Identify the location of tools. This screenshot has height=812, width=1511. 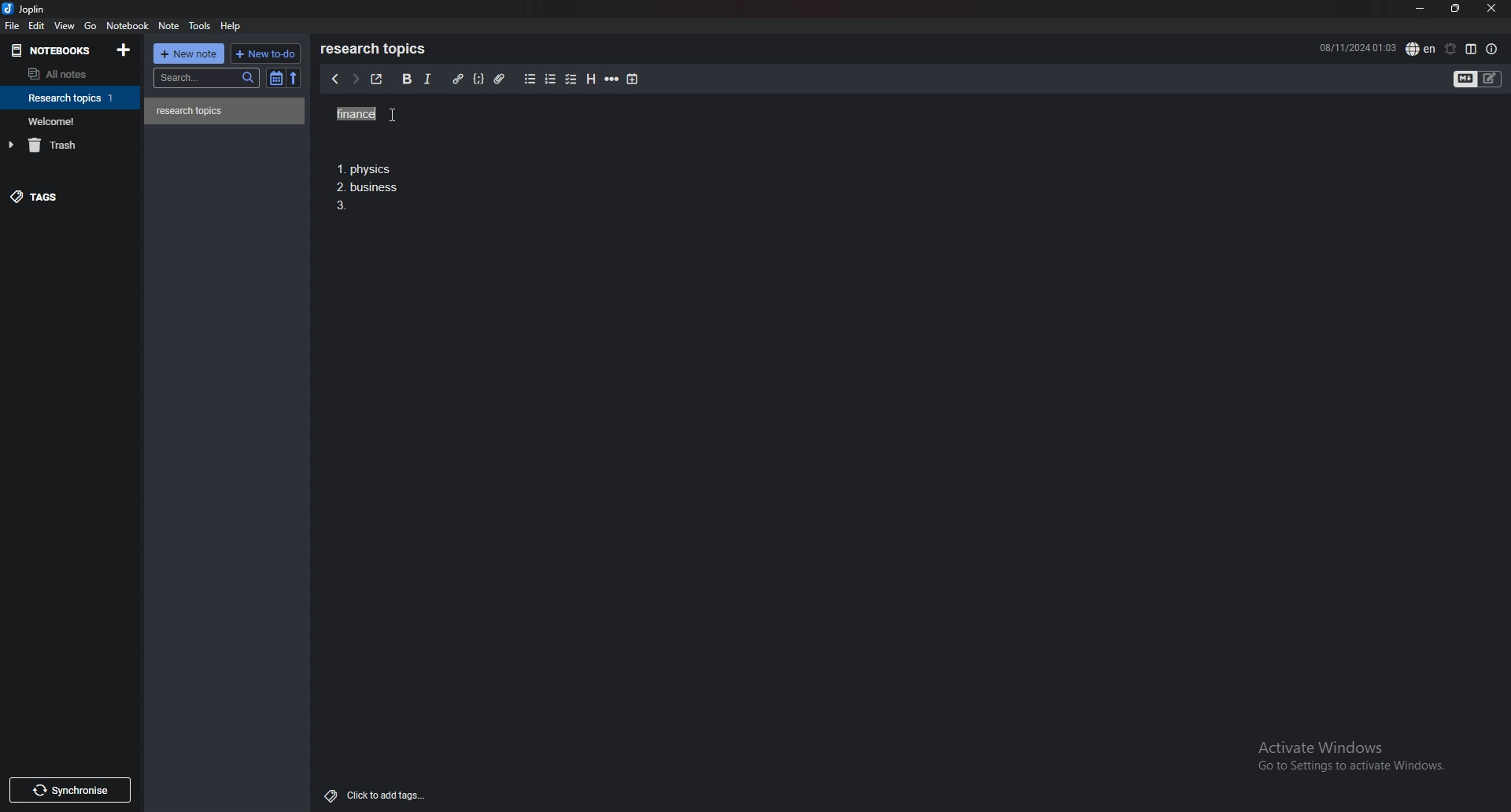
(200, 26).